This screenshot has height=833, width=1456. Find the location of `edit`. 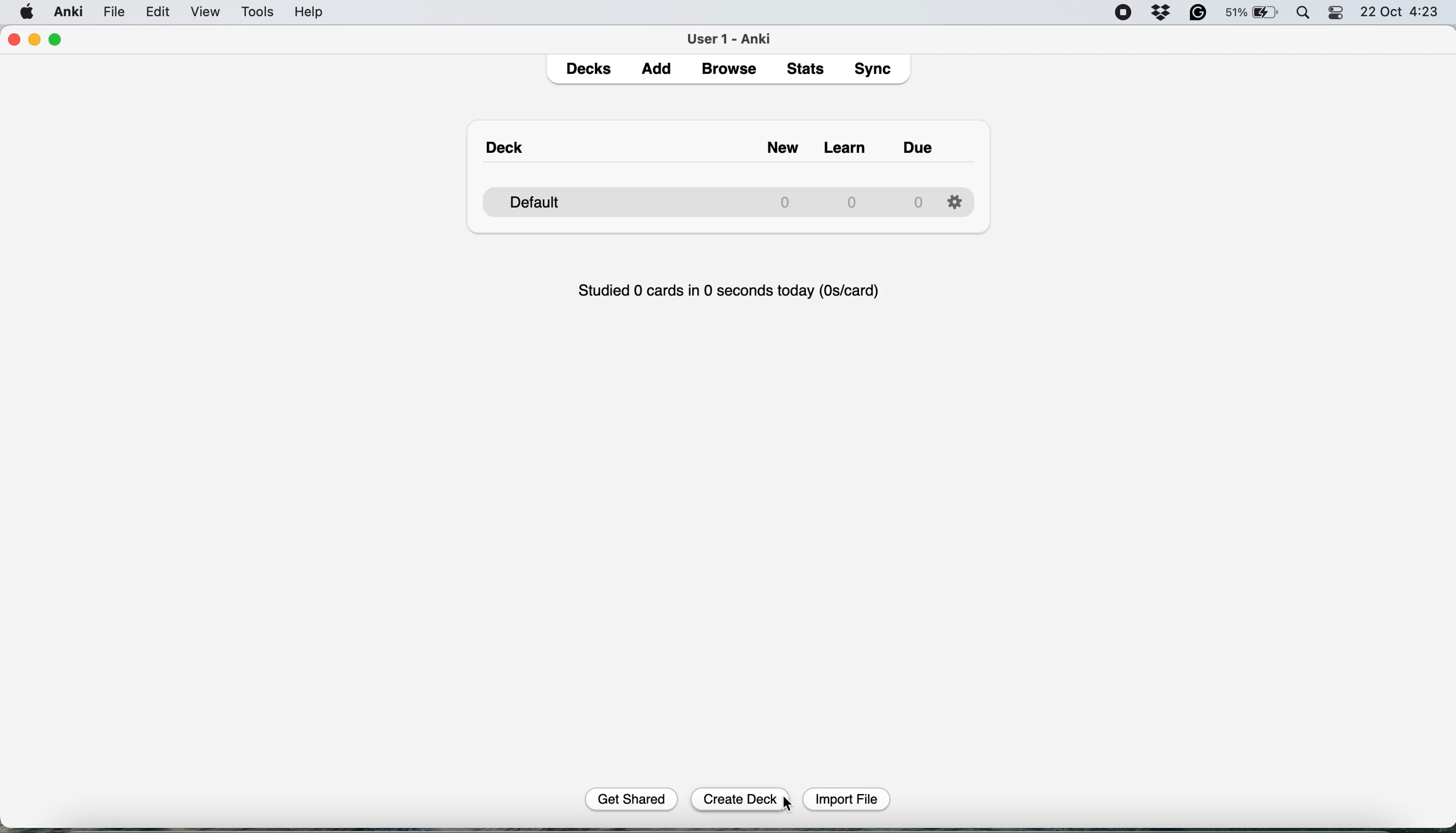

edit is located at coordinates (159, 14).